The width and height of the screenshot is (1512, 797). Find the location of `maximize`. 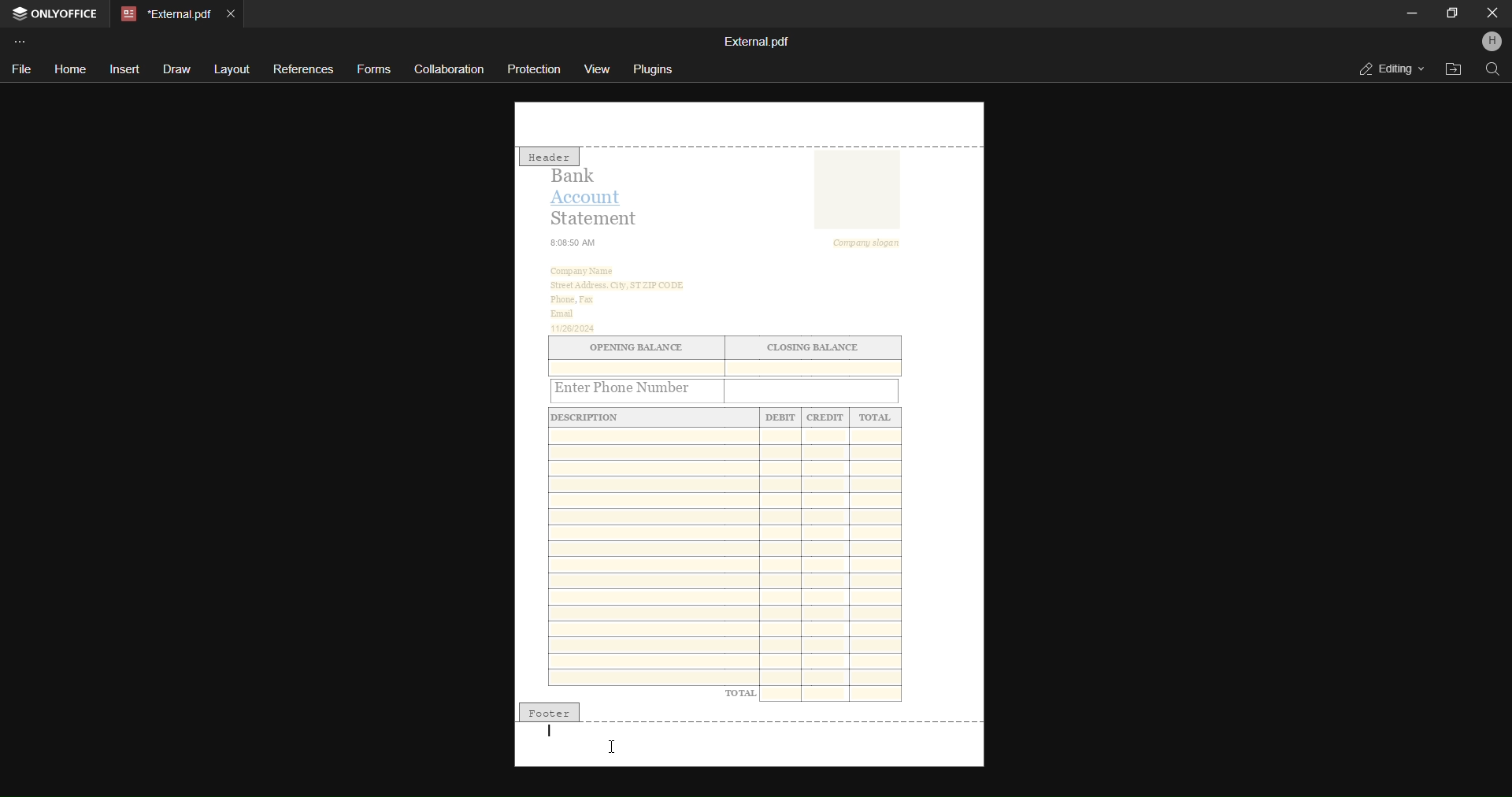

maximize is located at coordinates (1452, 12).